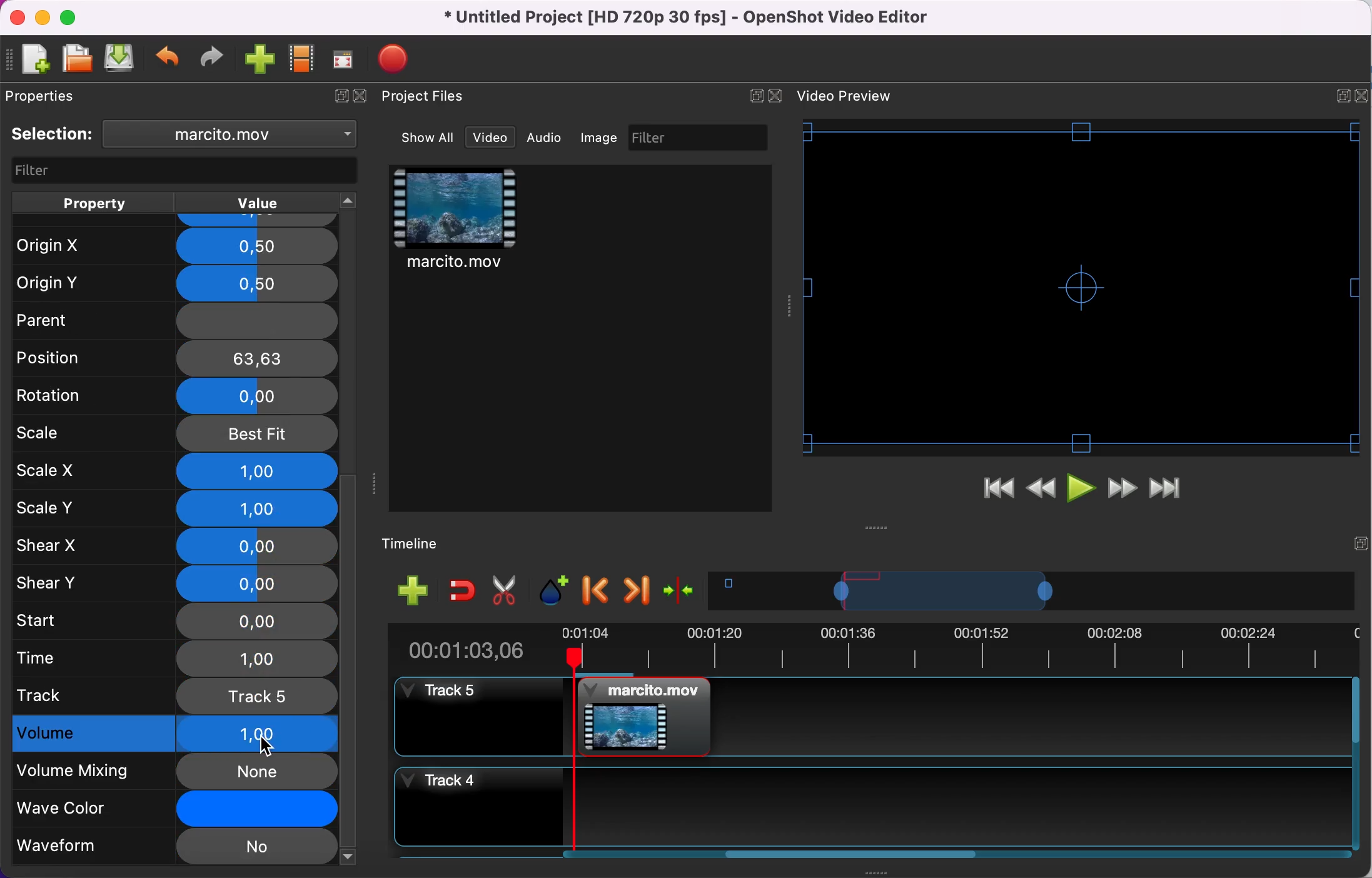  Describe the element at coordinates (556, 591) in the screenshot. I see `add marker` at that location.